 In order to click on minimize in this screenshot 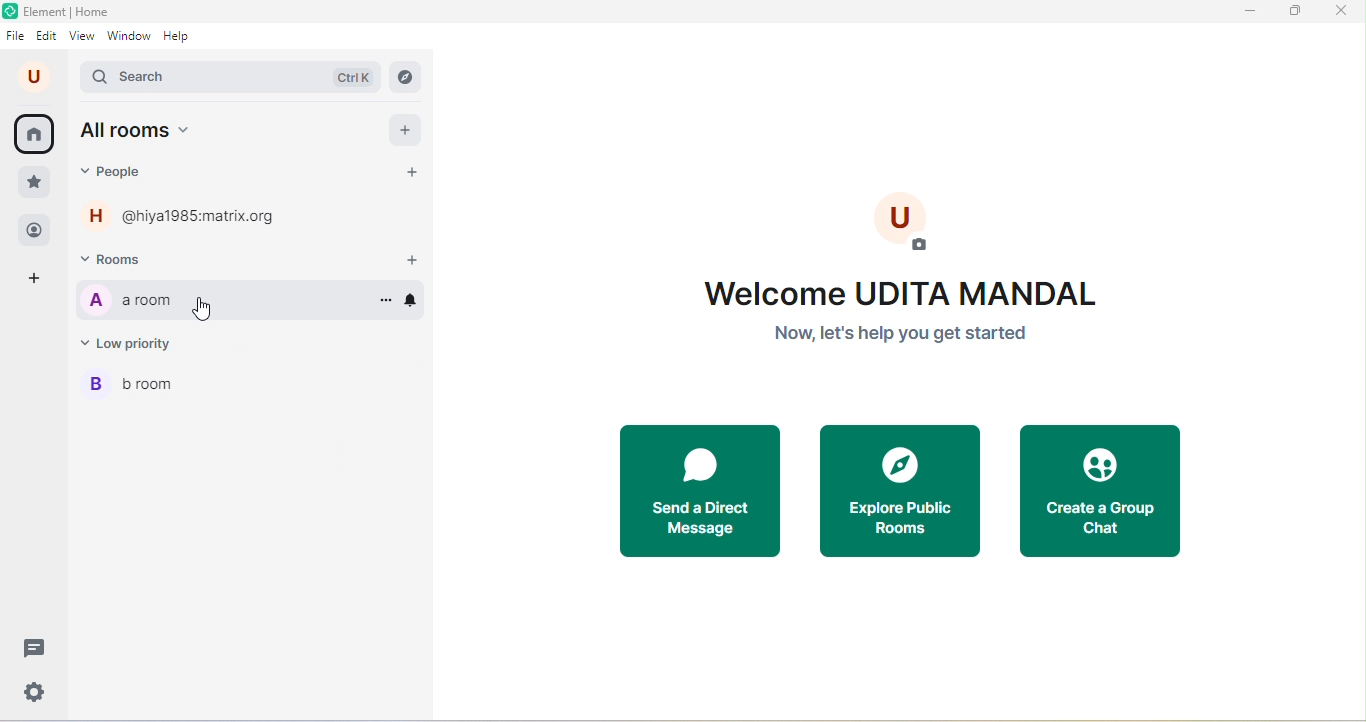, I will do `click(1246, 11)`.